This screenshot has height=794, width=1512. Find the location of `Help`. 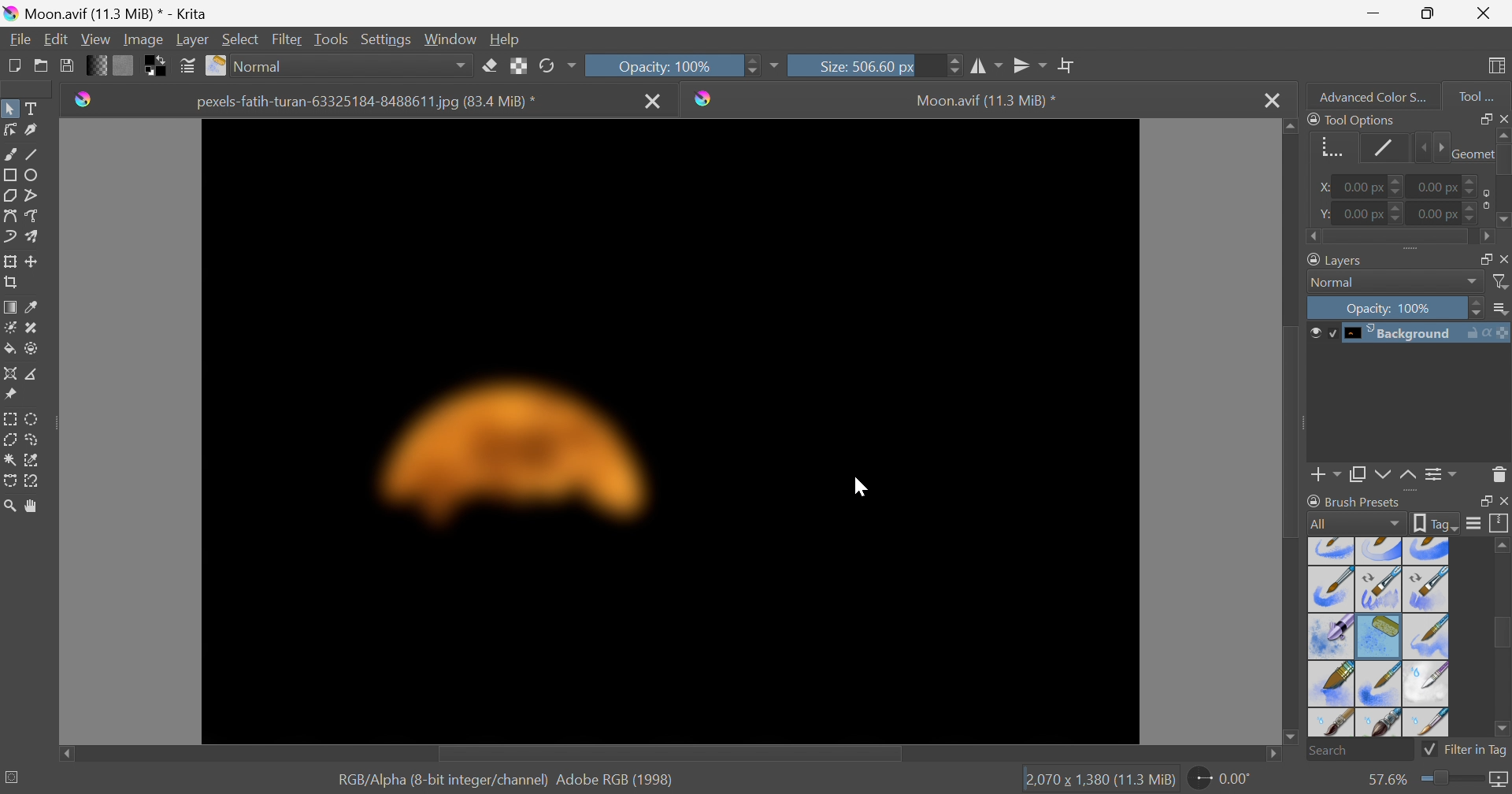

Help is located at coordinates (504, 40).